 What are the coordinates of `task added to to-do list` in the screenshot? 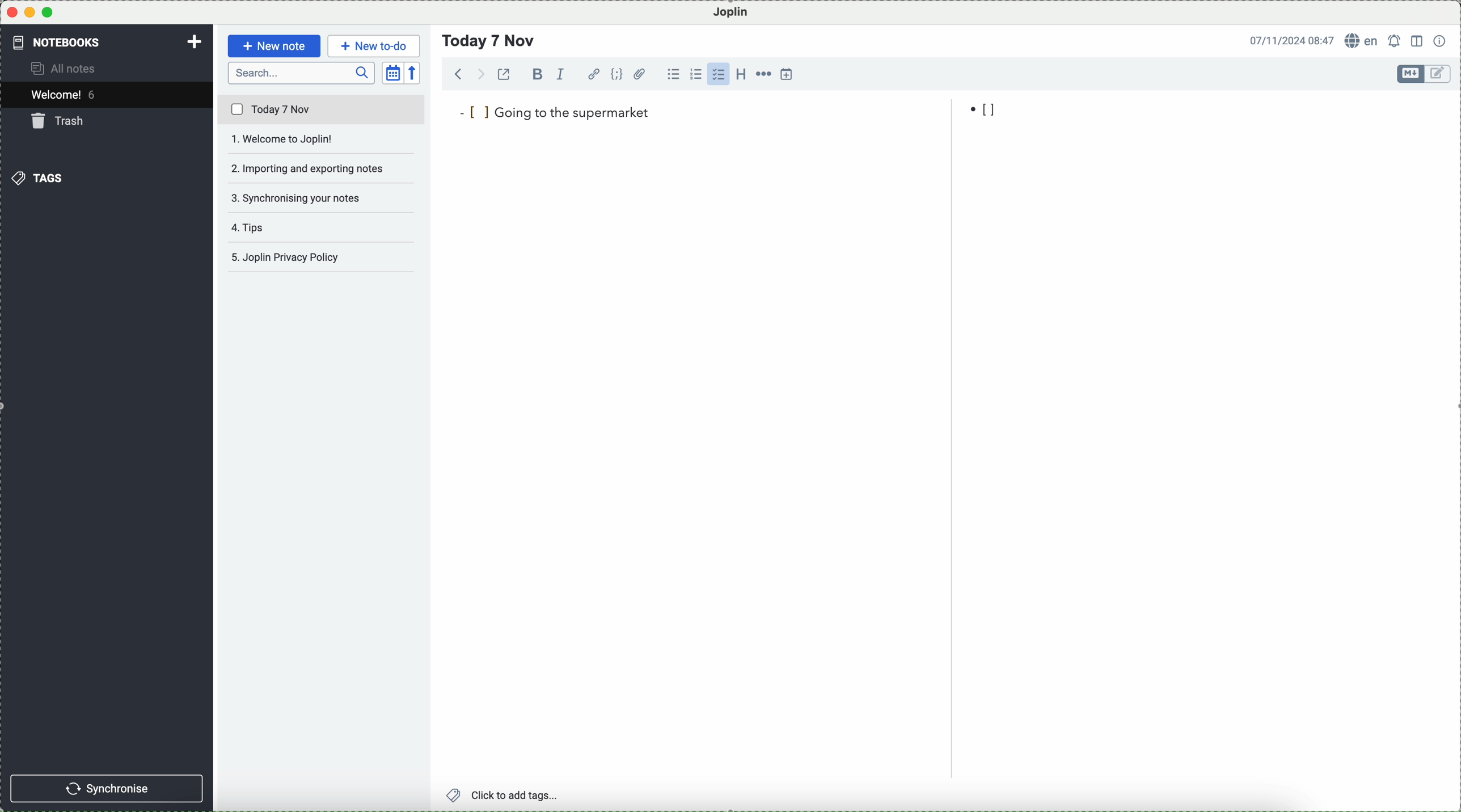 It's located at (554, 112).